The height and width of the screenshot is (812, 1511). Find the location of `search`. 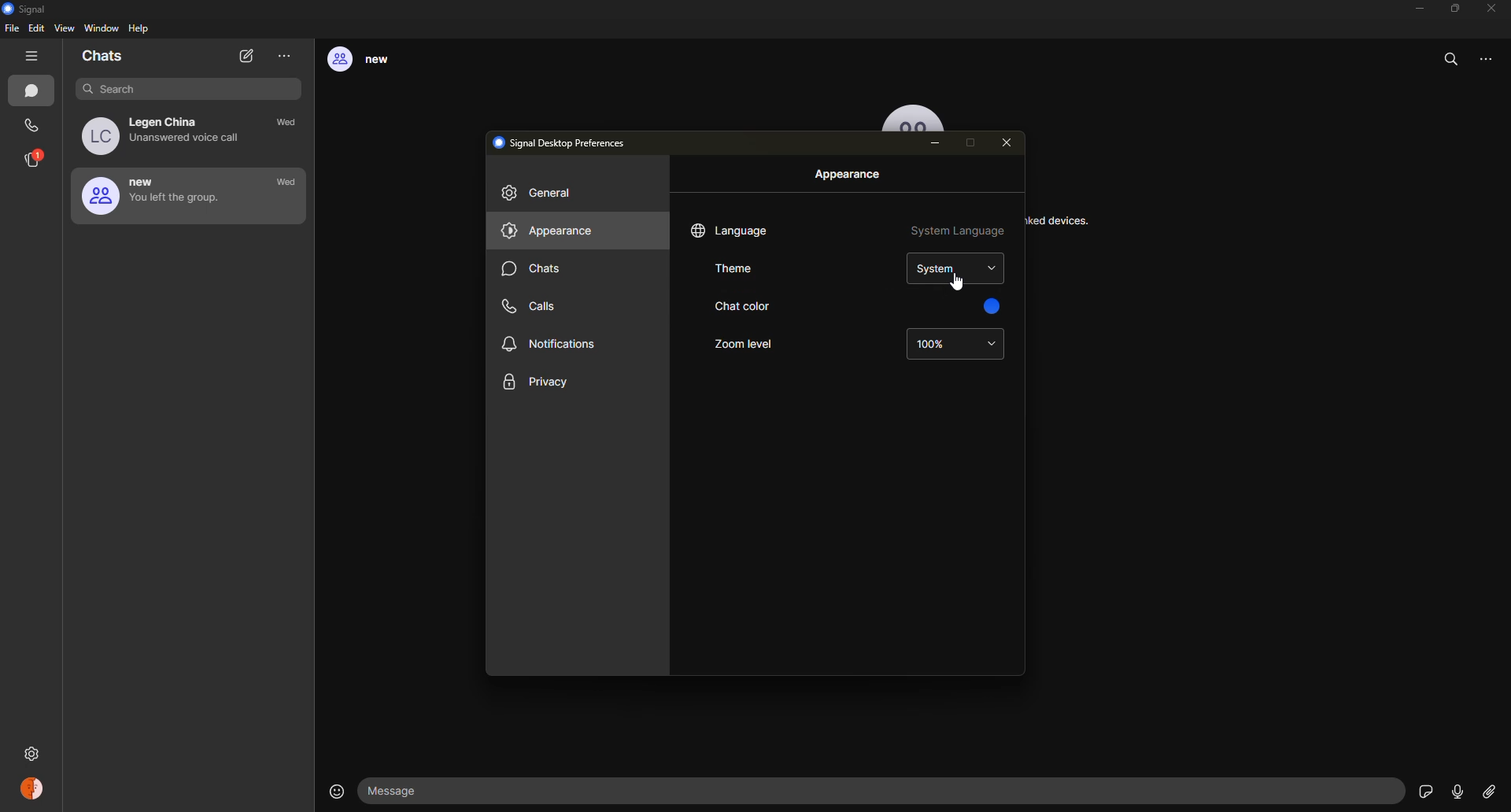

search is located at coordinates (1453, 59).